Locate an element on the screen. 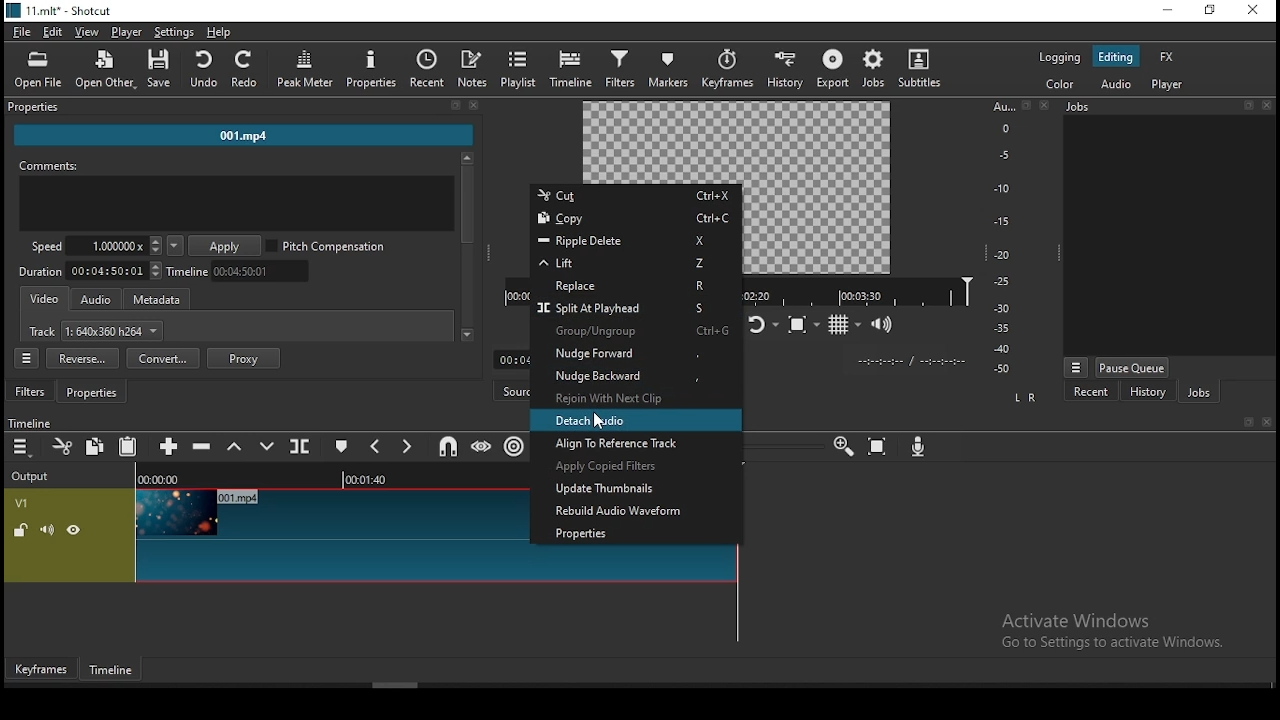 This screenshot has width=1280, height=720. align to reference task is located at coordinates (631, 444).